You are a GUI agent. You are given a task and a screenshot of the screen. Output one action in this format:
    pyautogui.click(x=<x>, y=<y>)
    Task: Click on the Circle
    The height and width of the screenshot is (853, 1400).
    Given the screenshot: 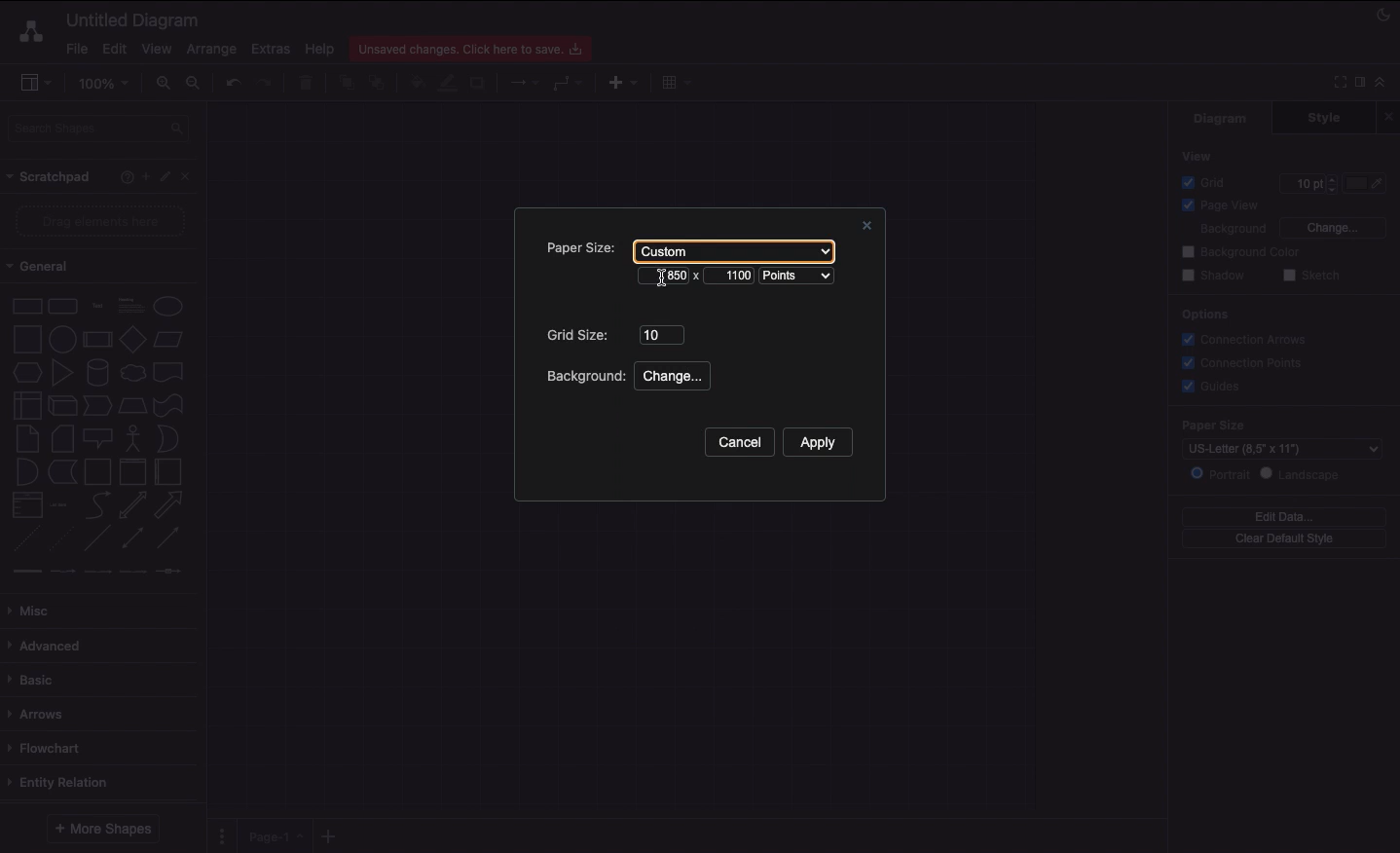 What is the action you would take?
    pyautogui.click(x=168, y=306)
    